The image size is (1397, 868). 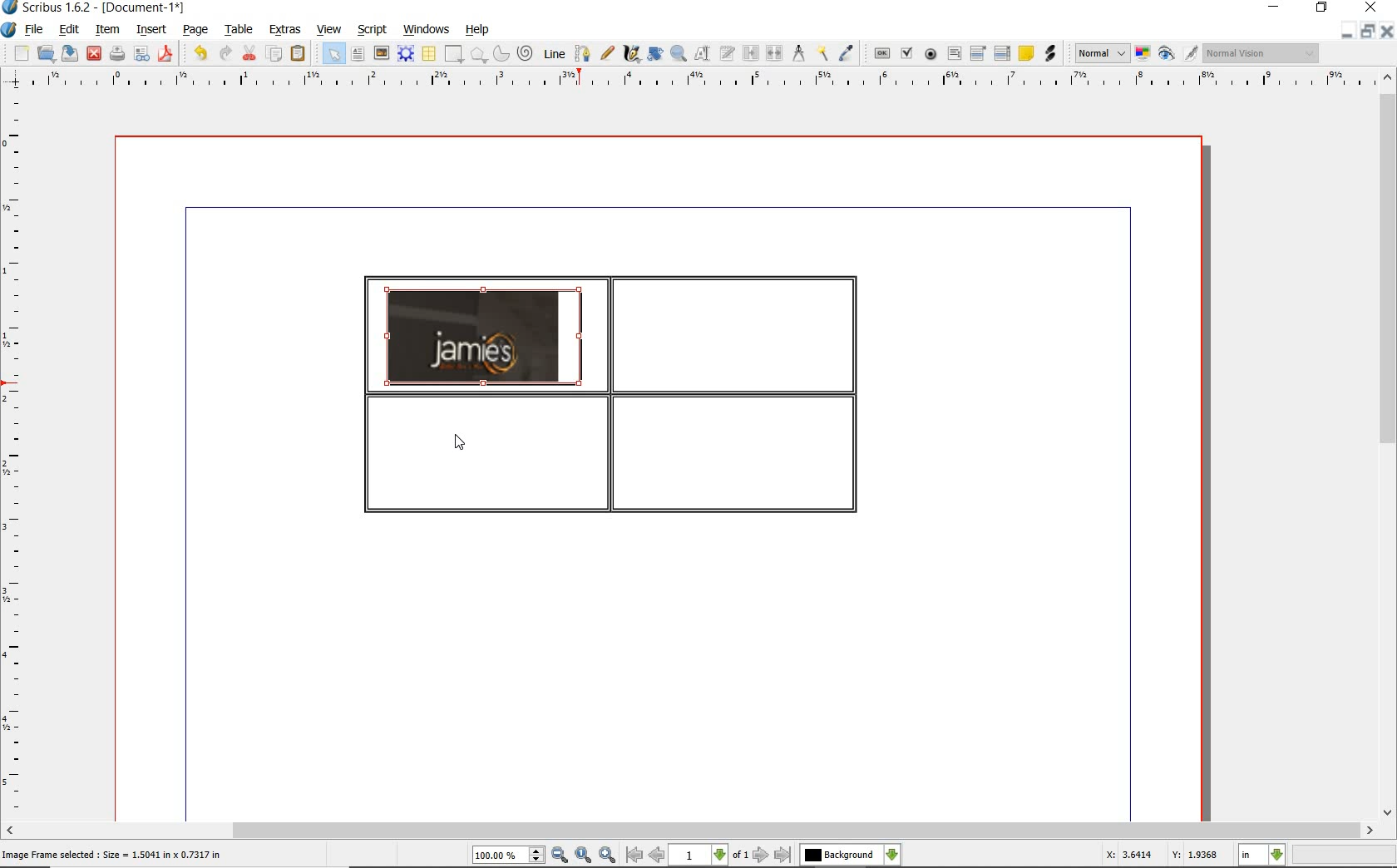 What do you see at coordinates (195, 31) in the screenshot?
I see `page` at bounding box center [195, 31].